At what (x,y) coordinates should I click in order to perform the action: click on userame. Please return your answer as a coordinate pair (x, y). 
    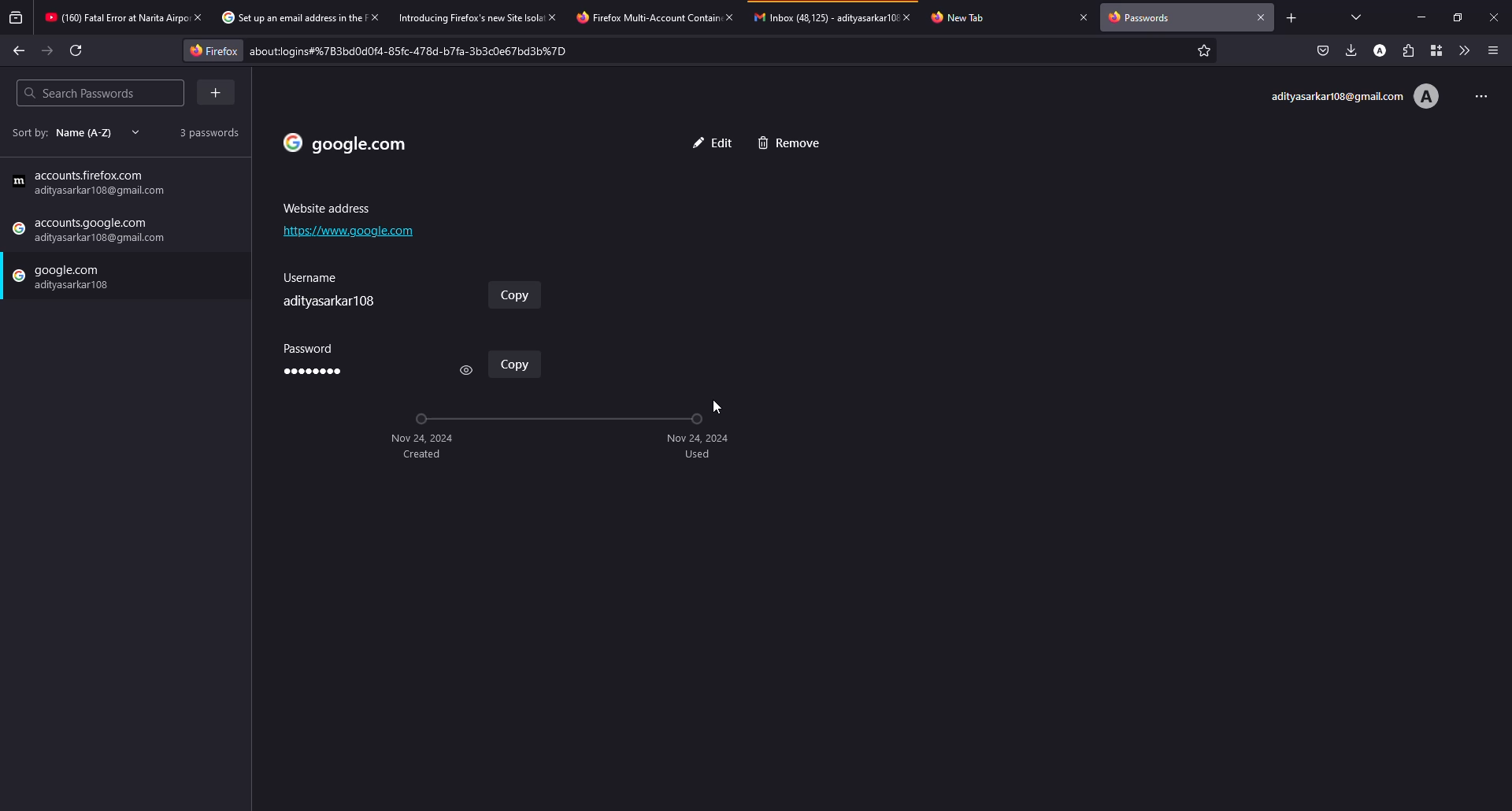
    Looking at the image, I should click on (313, 280).